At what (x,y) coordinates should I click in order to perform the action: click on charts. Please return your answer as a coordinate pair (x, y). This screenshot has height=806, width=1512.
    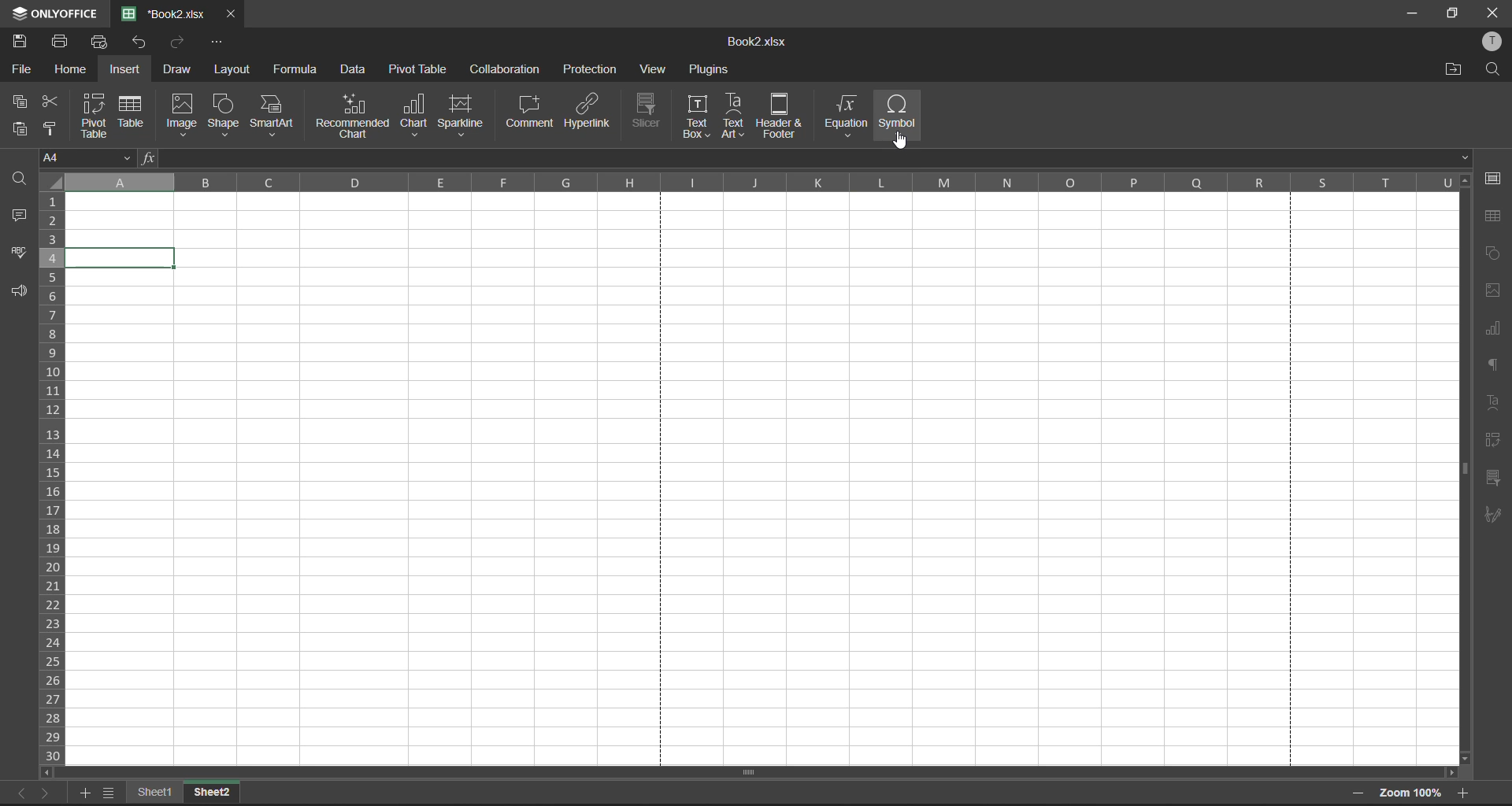
    Looking at the image, I should click on (1493, 330).